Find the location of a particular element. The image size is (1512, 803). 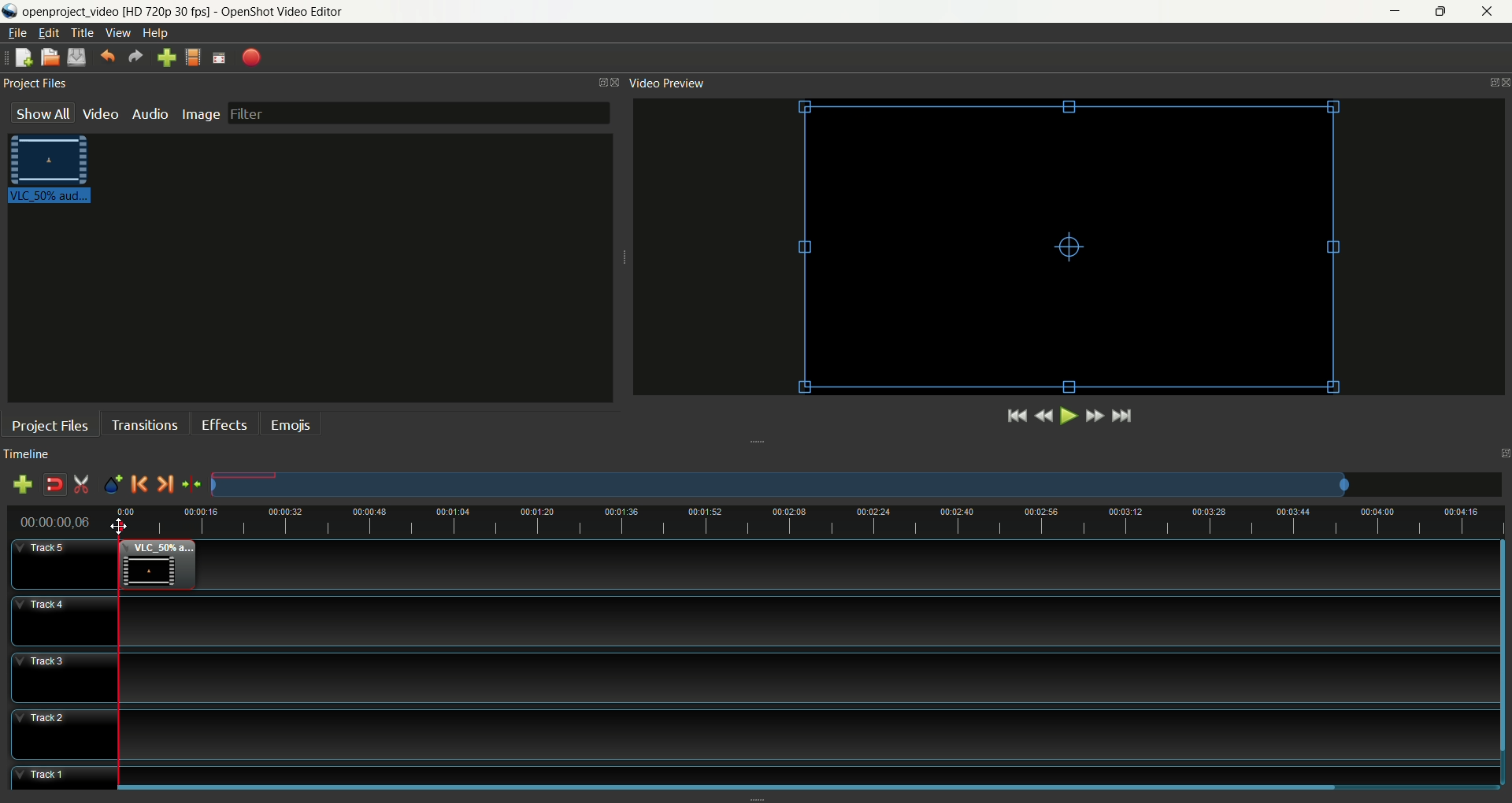

previous marker is located at coordinates (139, 484).